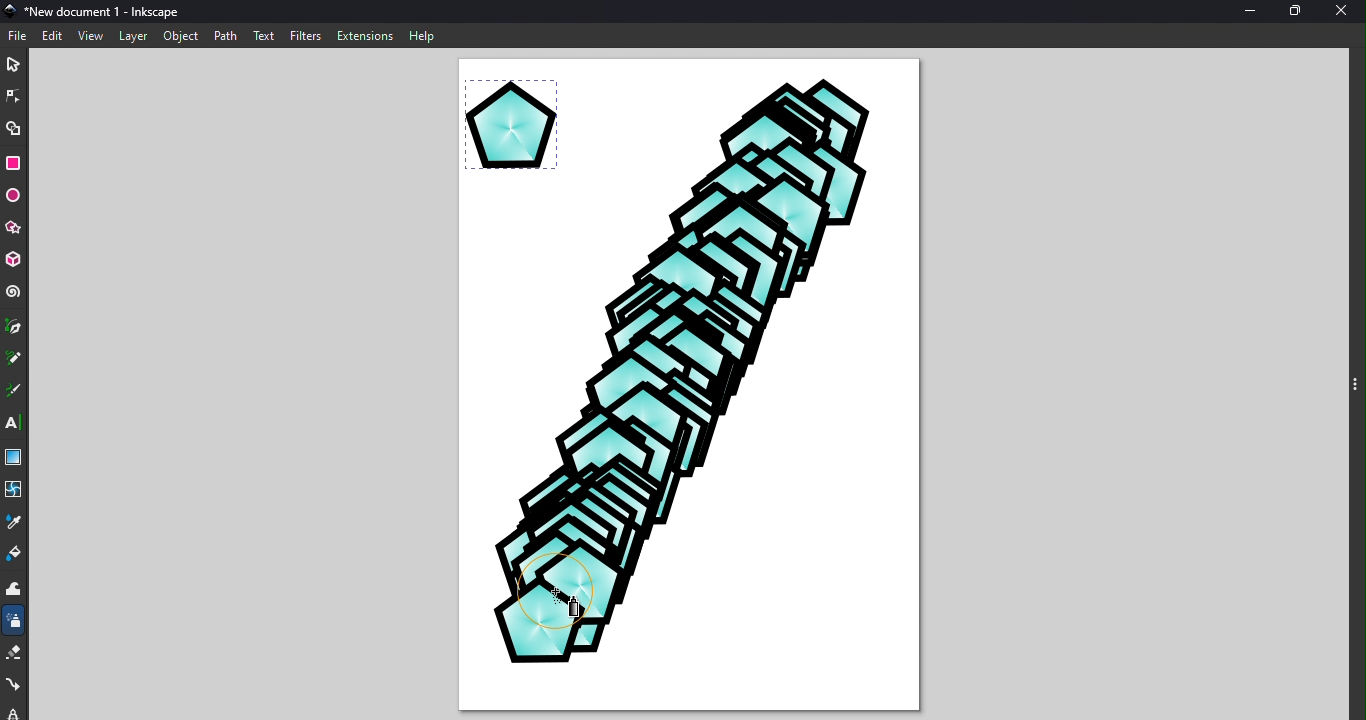 This screenshot has height=720, width=1366. Describe the element at coordinates (1294, 10) in the screenshot. I see `Maximize` at that location.